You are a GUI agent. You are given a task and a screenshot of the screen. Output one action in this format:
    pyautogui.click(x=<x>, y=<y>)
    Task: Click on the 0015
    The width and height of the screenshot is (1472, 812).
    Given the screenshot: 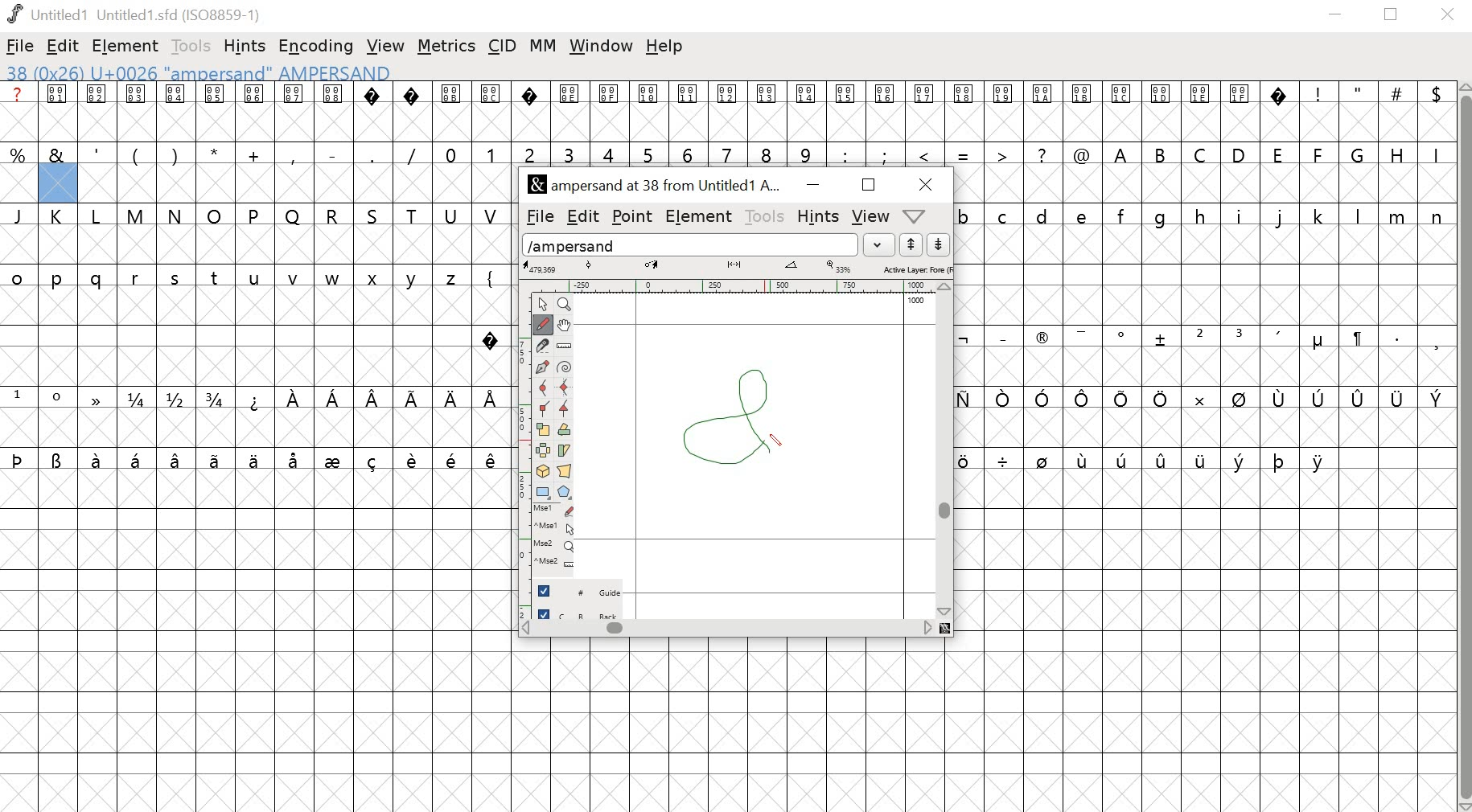 What is the action you would take?
    pyautogui.click(x=846, y=113)
    